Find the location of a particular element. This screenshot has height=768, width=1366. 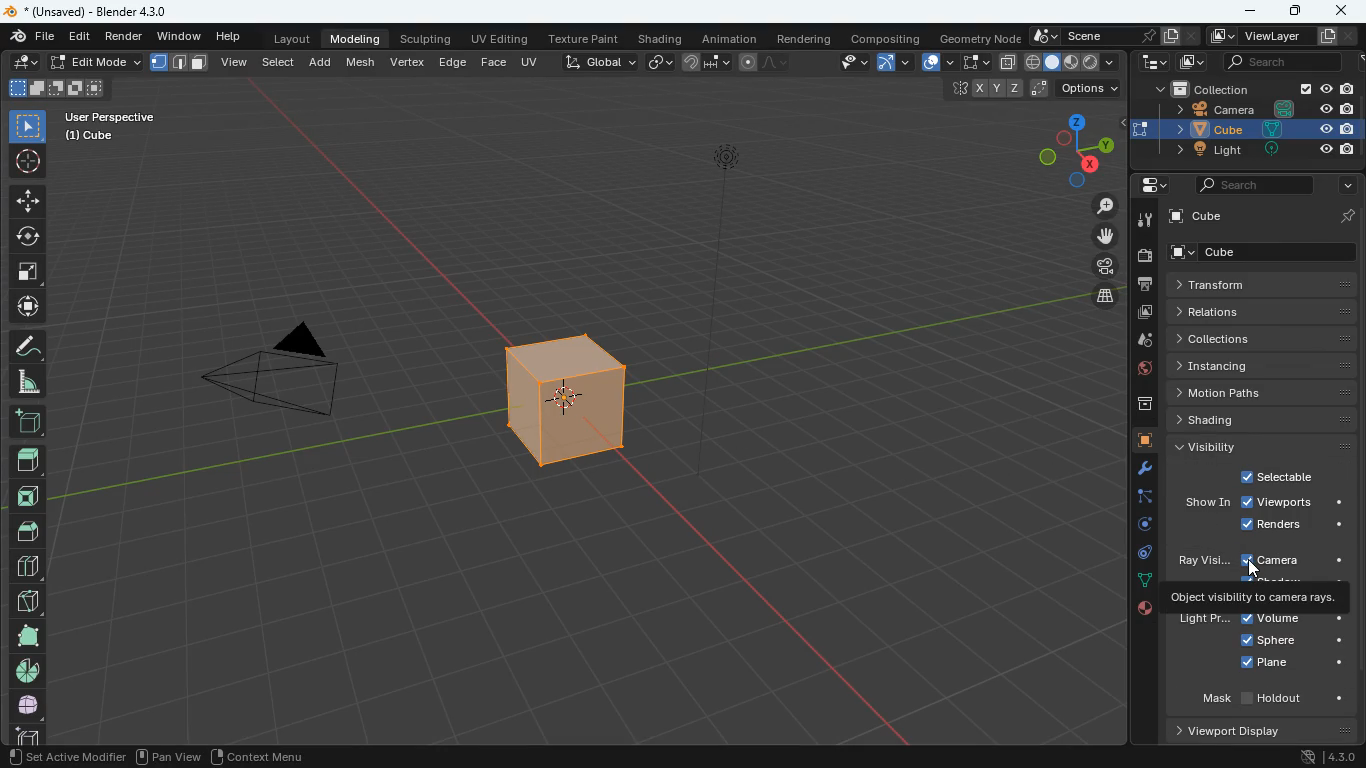

public is located at coordinates (1143, 608).